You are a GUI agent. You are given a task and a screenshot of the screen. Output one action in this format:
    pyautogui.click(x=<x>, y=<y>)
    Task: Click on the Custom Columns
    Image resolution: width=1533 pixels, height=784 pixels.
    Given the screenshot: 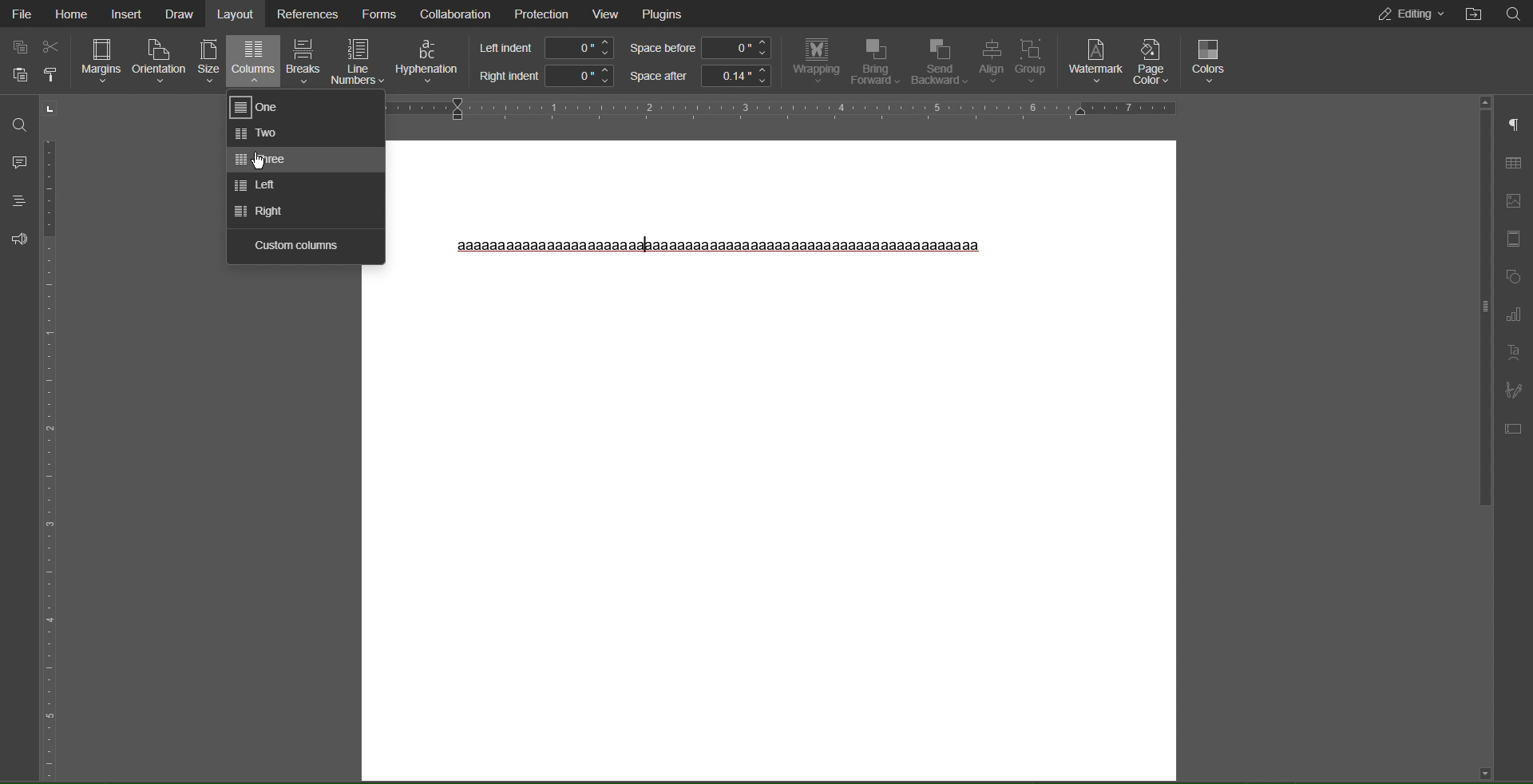 What is the action you would take?
    pyautogui.click(x=296, y=244)
    